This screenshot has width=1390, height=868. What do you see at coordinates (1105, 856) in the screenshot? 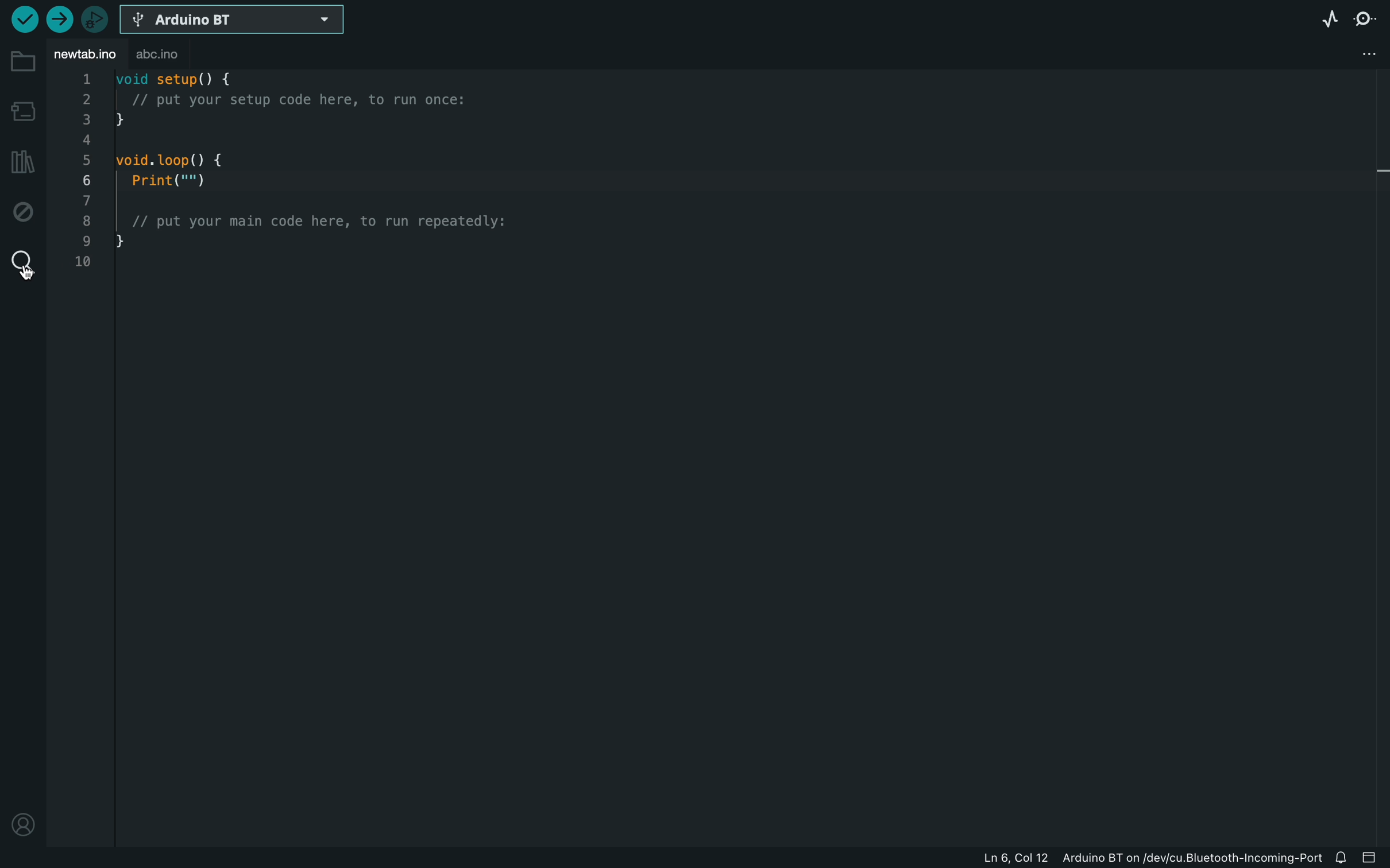
I see `file information` at bounding box center [1105, 856].